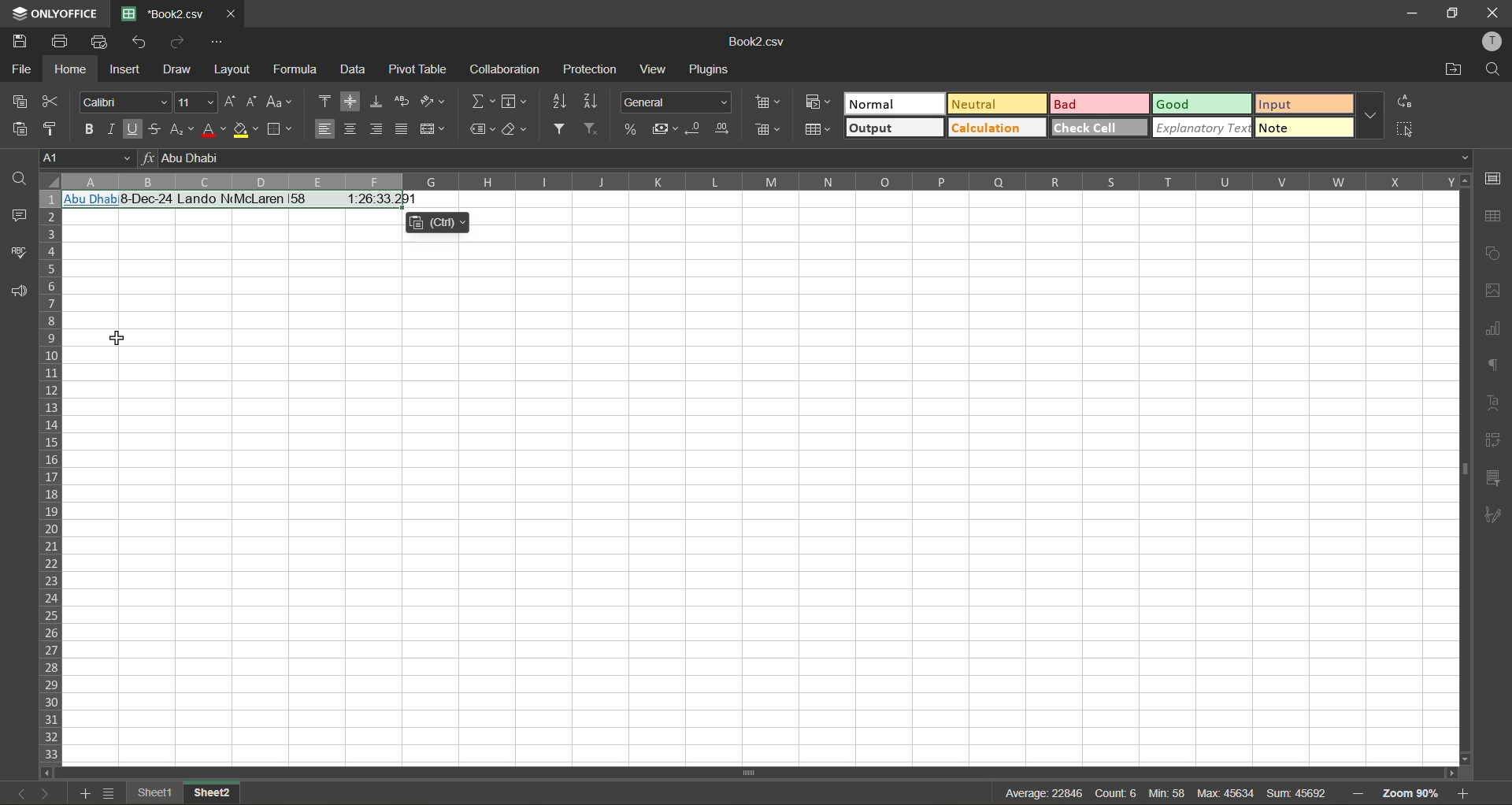  Describe the element at coordinates (1410, 12) in the screenshot. I see `minimize` at that location.